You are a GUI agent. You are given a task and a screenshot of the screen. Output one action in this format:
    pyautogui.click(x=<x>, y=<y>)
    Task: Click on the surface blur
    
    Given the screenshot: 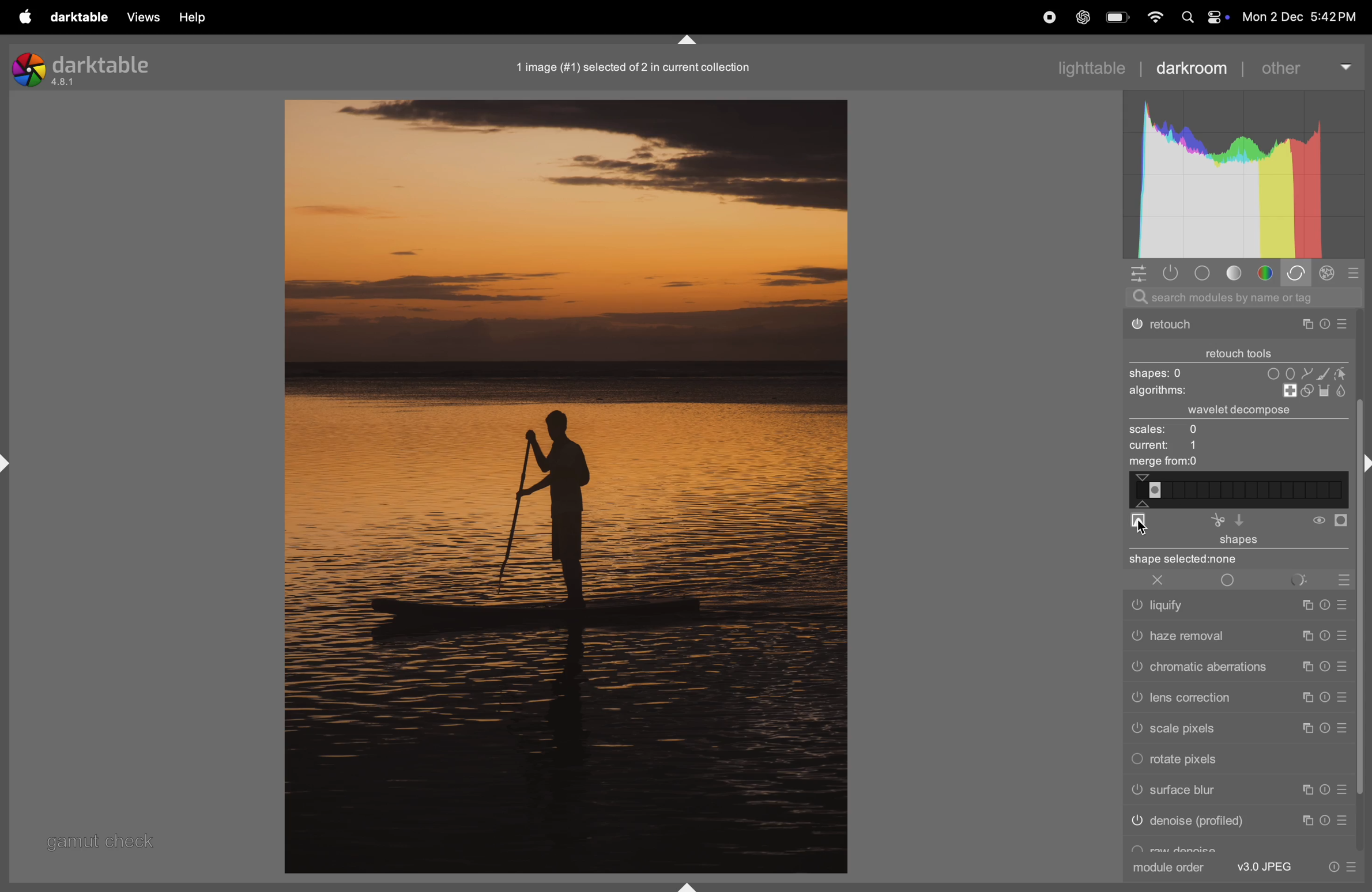 What is the action you would take?
    pyautogui.click(x=1235, y=791)
    